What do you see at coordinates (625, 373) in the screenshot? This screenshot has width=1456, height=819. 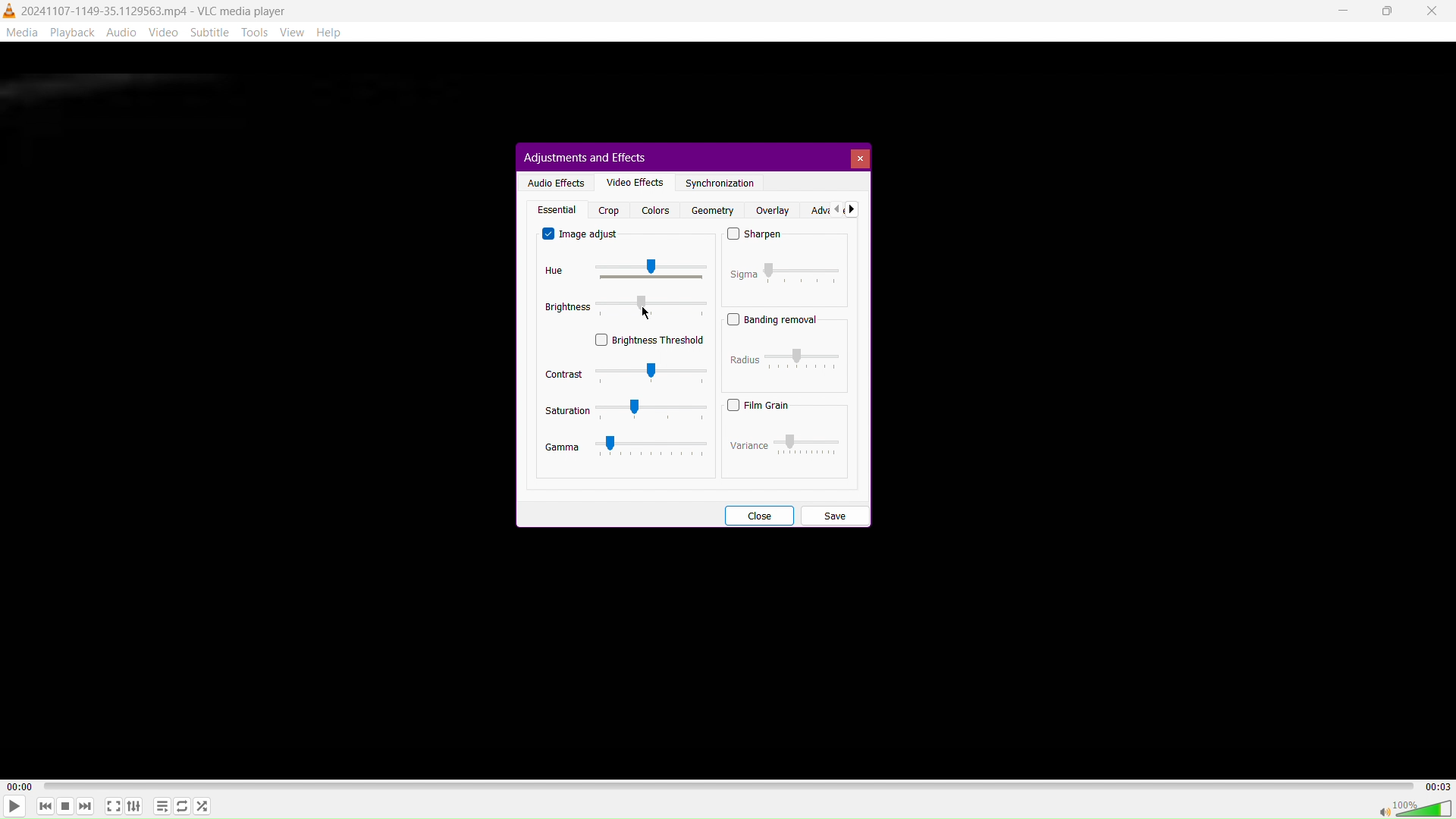 I see `Contrast` at bounding box center [625, 373].